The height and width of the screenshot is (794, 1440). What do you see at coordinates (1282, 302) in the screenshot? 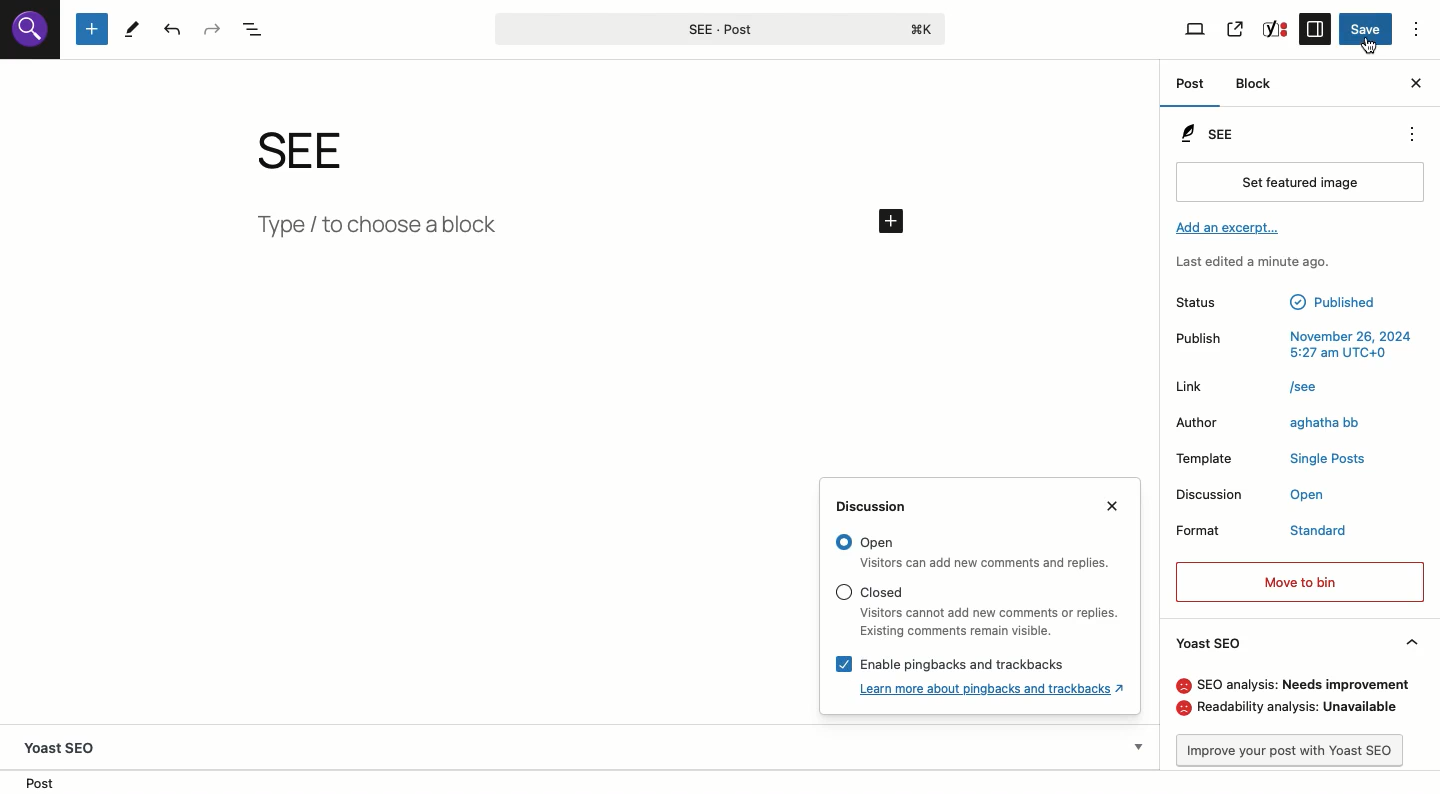
I see `Status` at bounding box center [1282, 302].